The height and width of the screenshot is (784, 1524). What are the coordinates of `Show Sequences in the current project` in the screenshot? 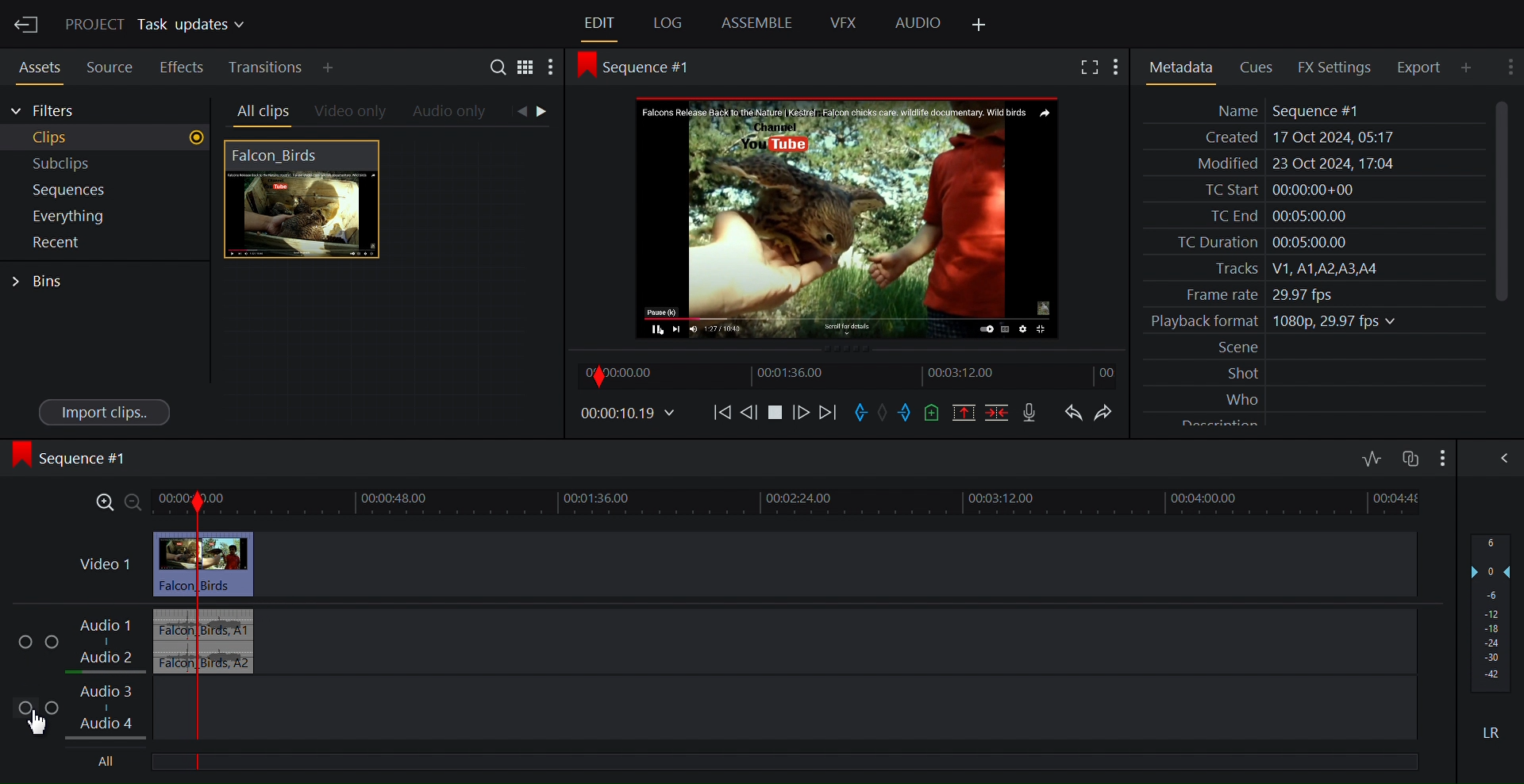 It's located at (106, 190).